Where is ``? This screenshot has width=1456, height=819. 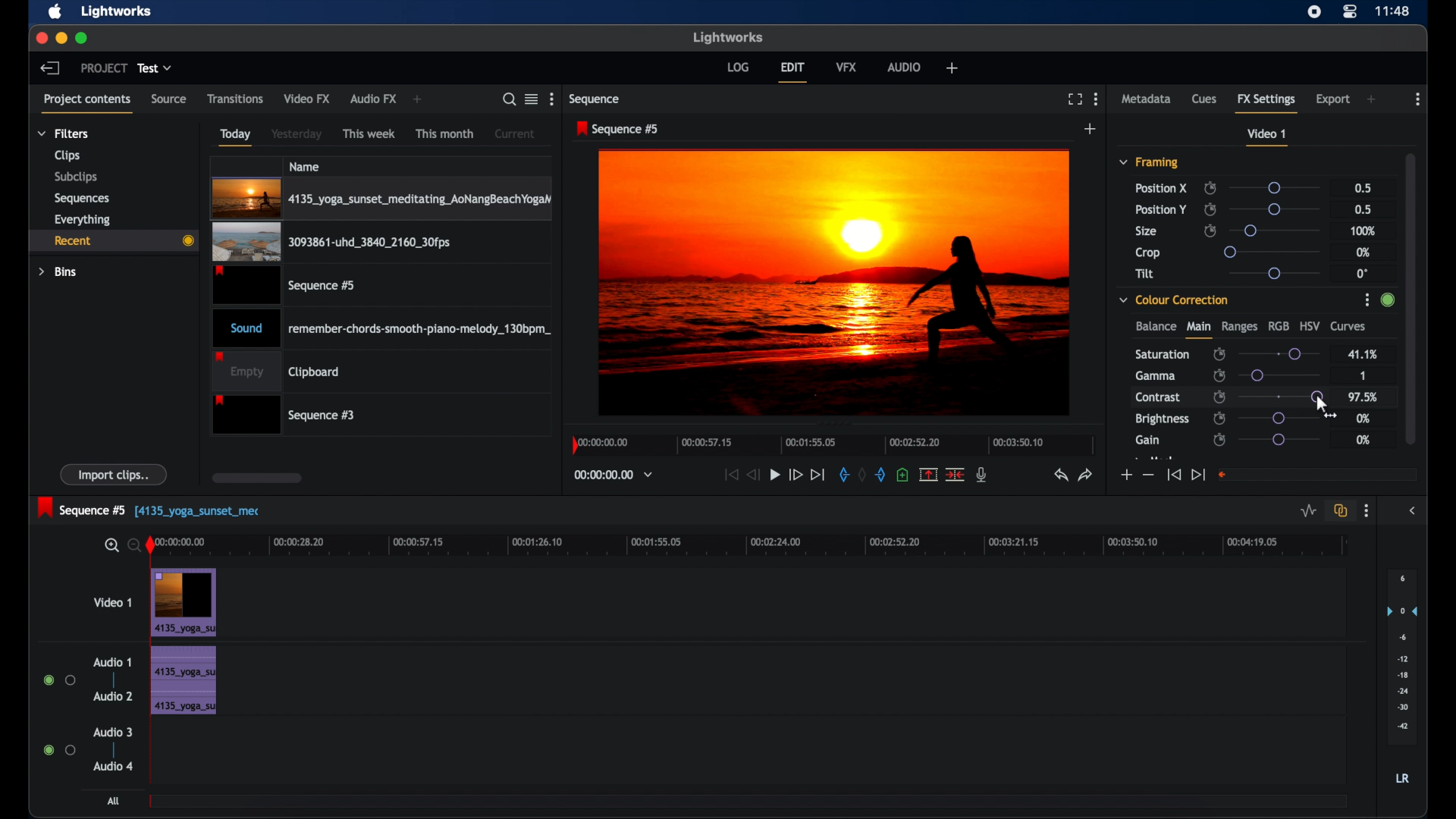
 is located at coordinates (1200, 330).